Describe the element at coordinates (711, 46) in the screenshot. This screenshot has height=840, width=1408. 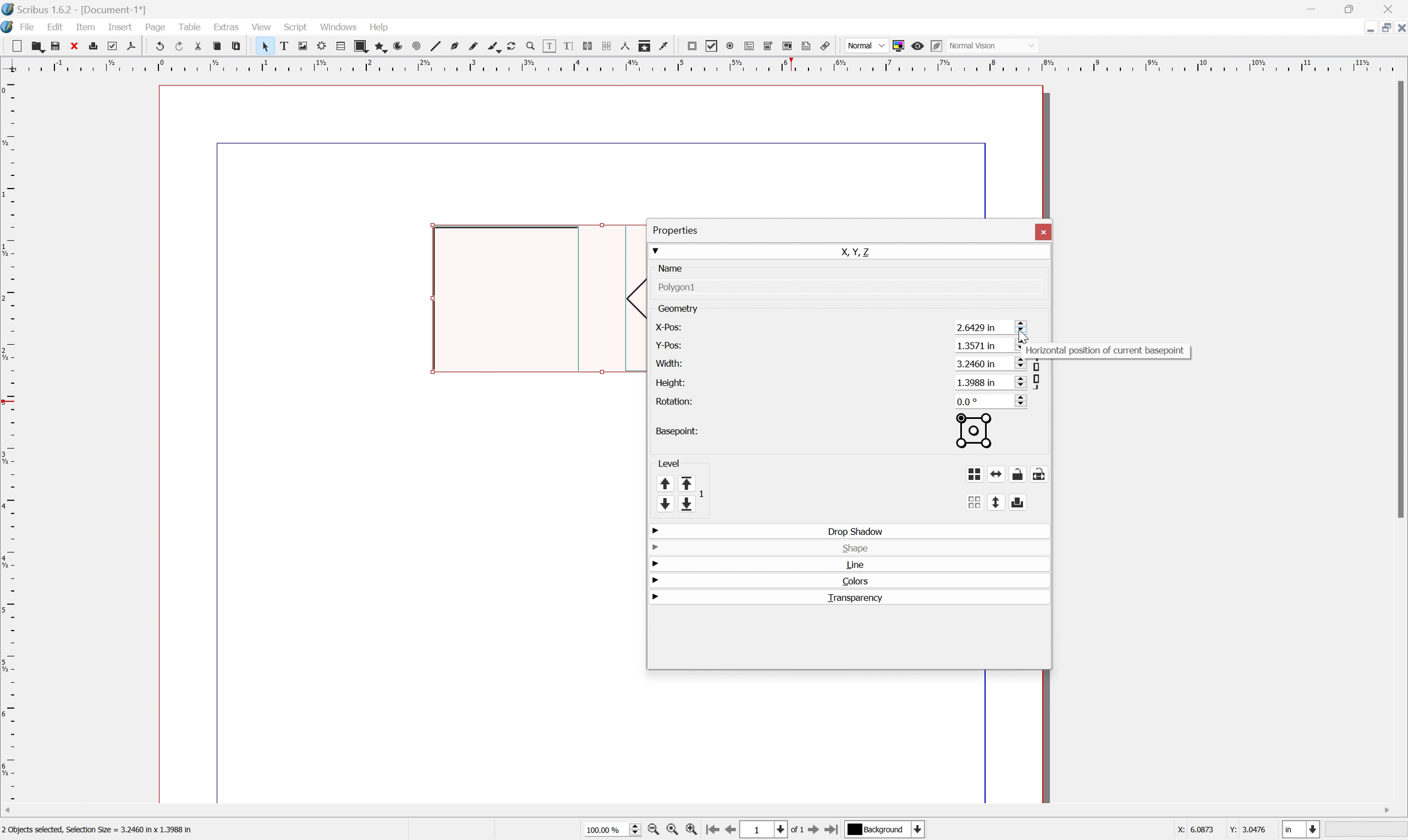
I see `pdf checkbox` at that location.